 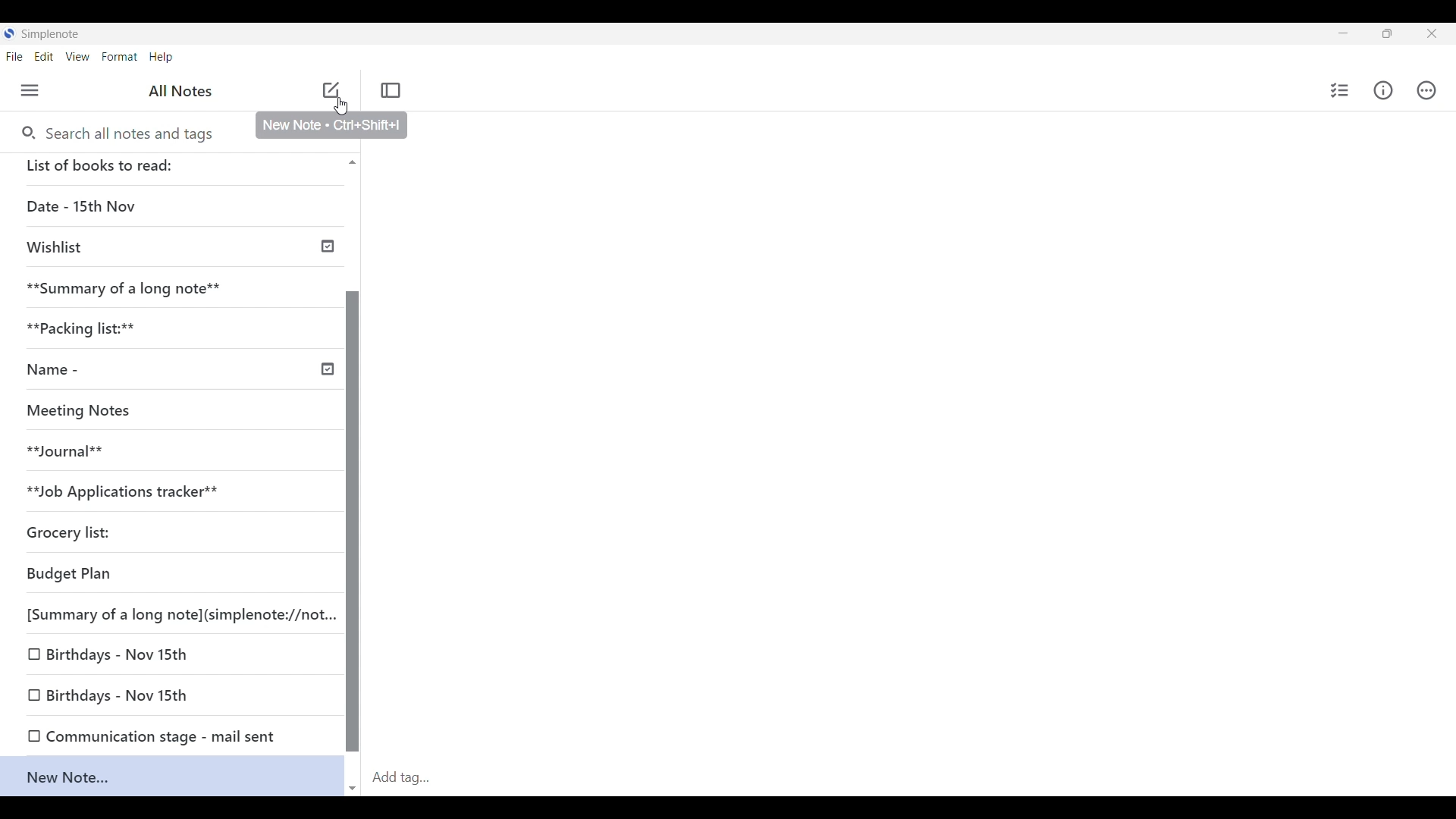 What do you see at coordinates (120, 56) in the screenshot?
I see `Format` at bounding box center [120, 56].